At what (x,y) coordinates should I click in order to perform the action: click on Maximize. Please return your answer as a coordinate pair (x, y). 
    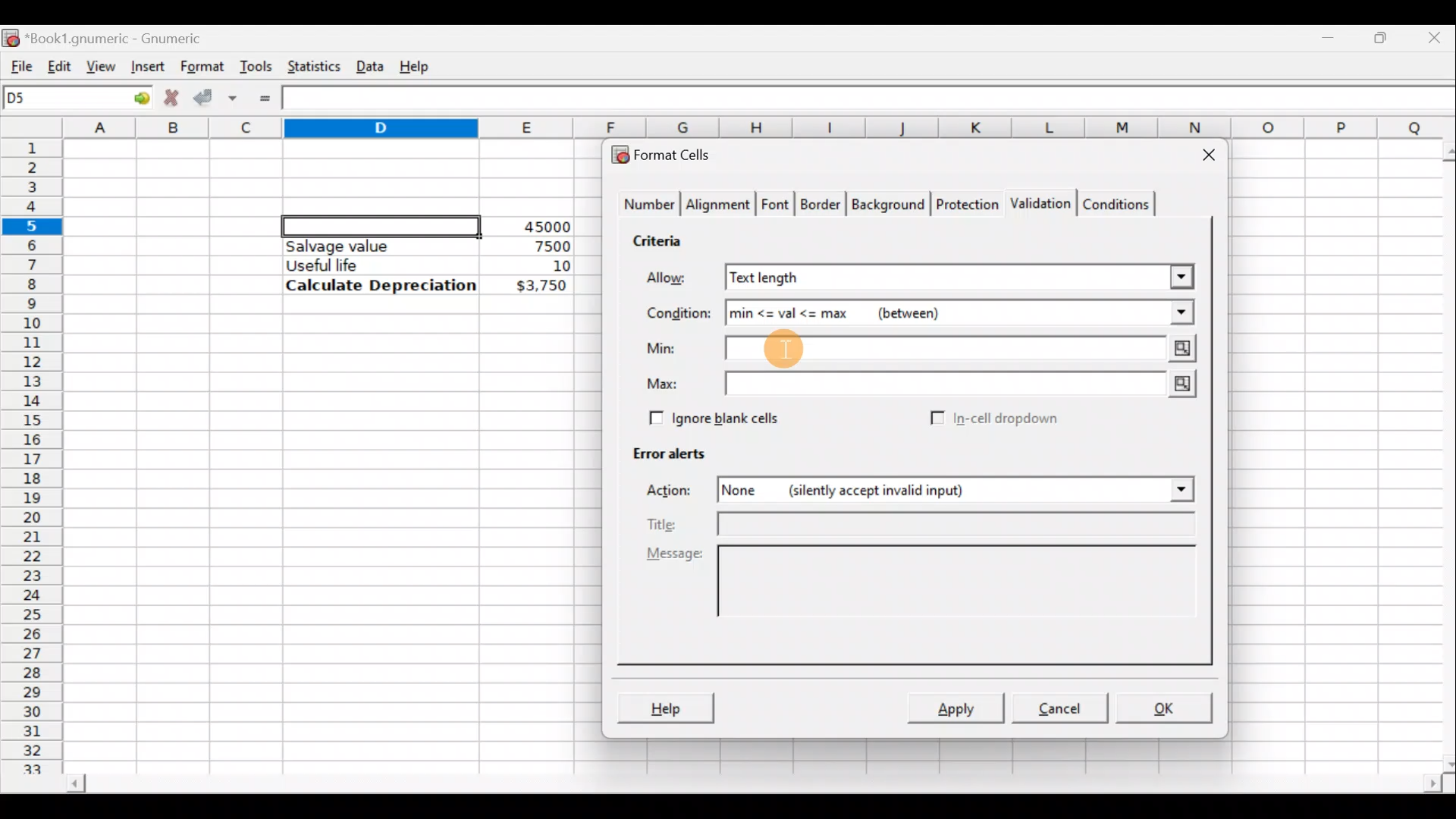
    Looking at the image, I should click on (1384, 35).